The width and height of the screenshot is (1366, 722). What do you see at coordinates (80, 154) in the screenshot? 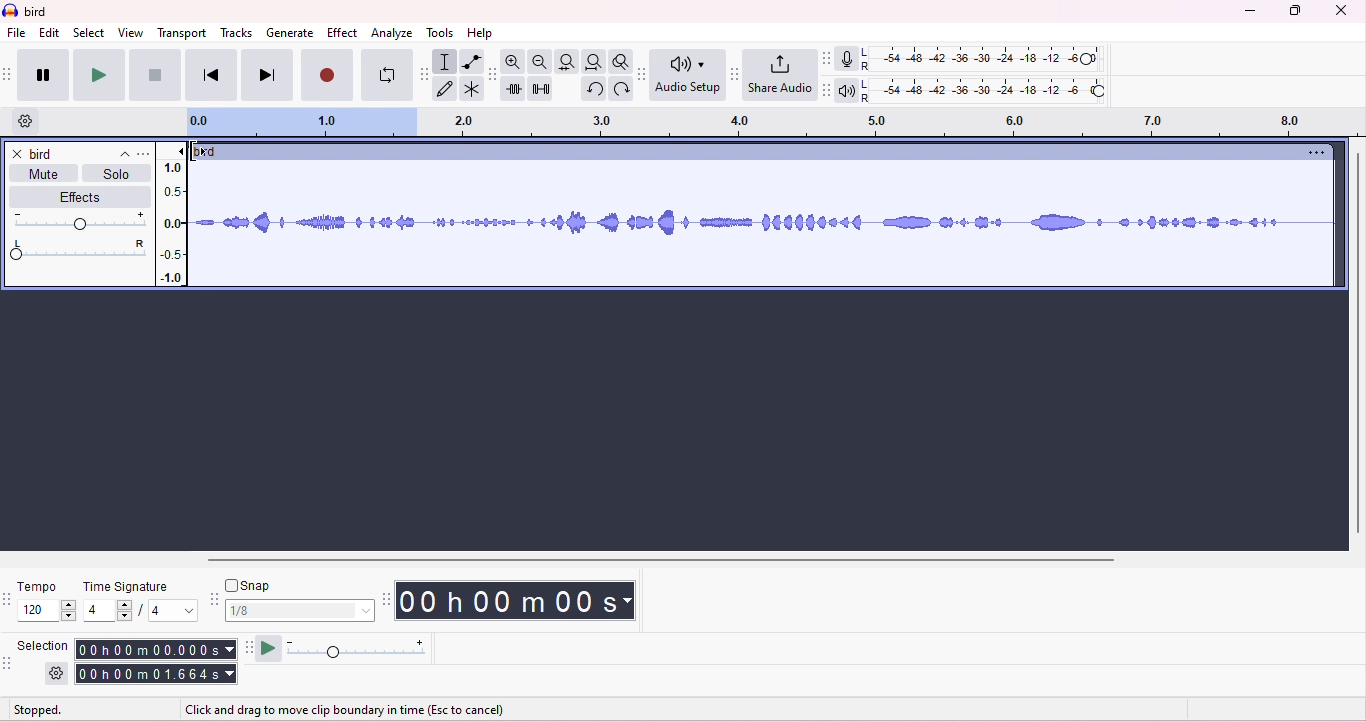
I see `track title` at bounding box center [80, 154].